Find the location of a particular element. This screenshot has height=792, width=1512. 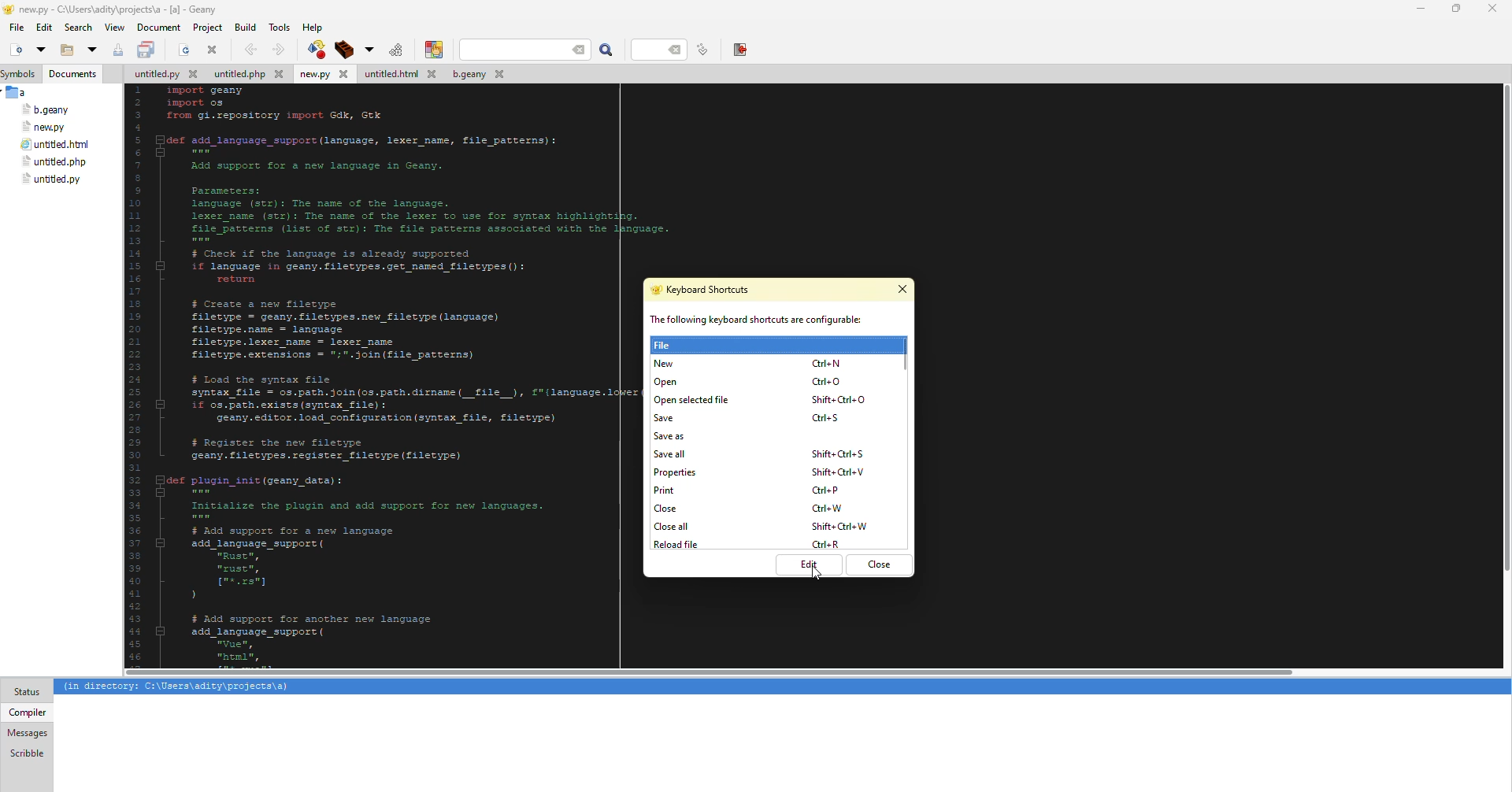

close is located at coordinates (884, 566).